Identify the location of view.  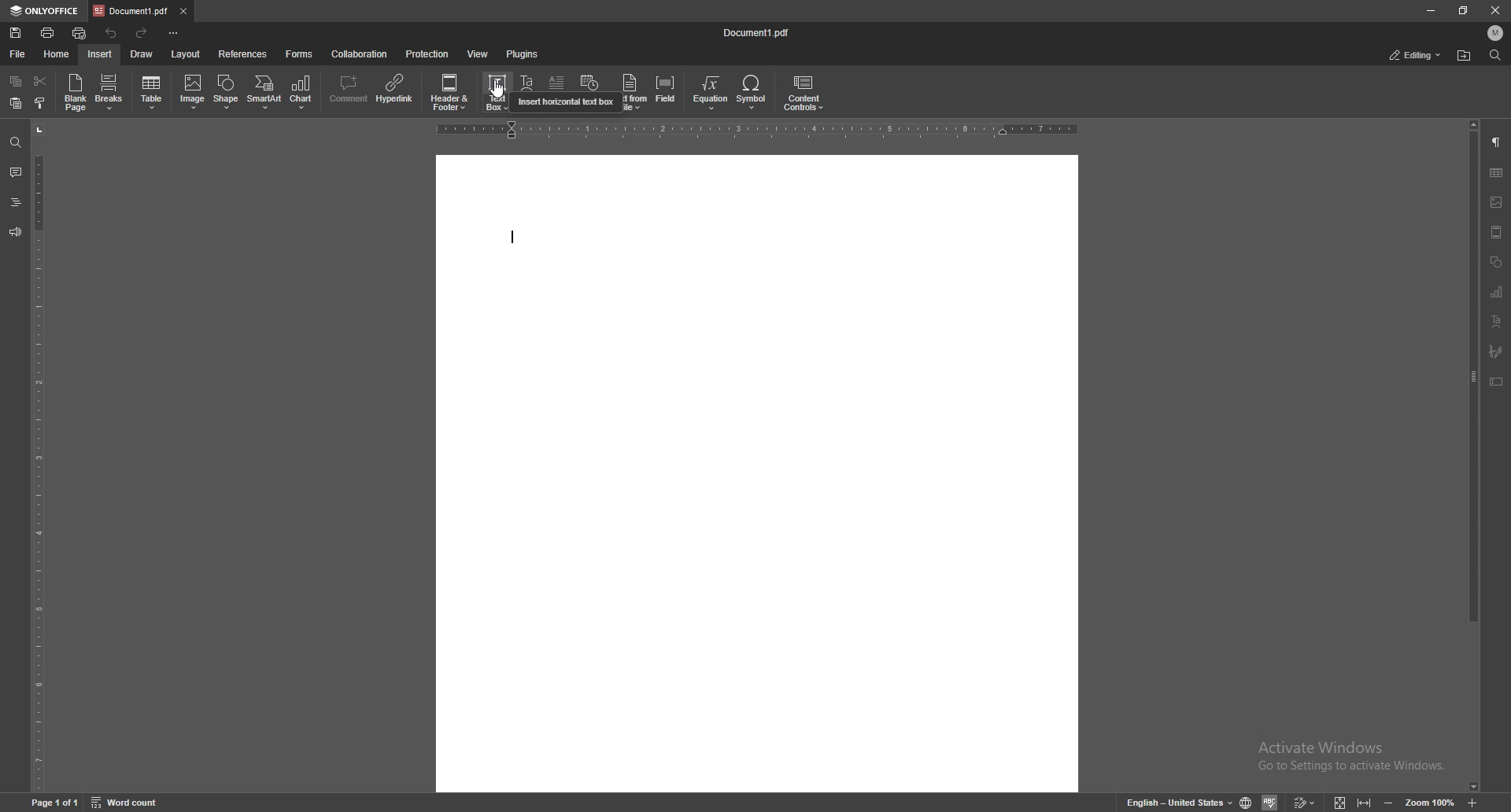
(478, 54).